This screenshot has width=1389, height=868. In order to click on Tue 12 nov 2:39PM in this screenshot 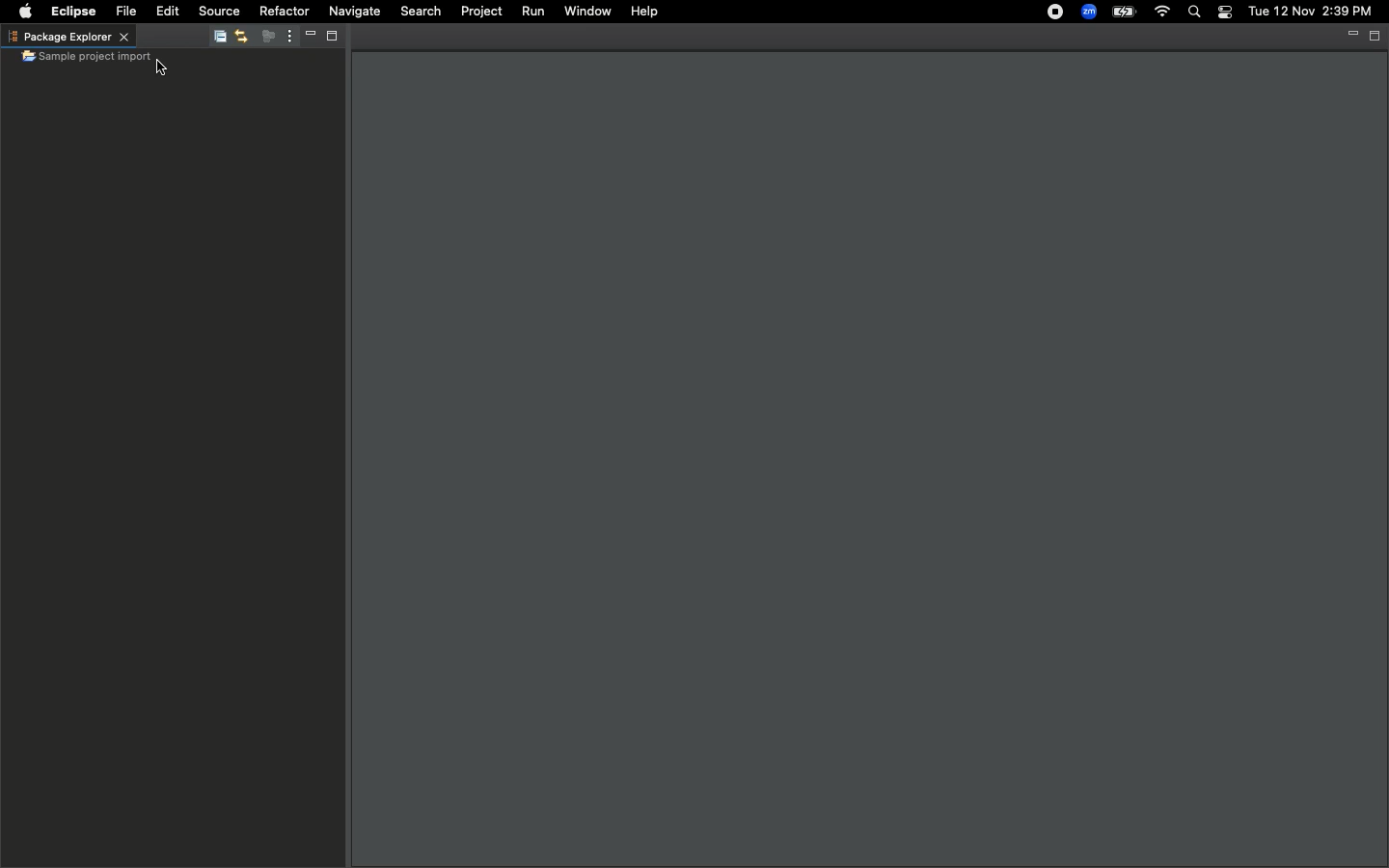, I will do `click(1310, 12)`.